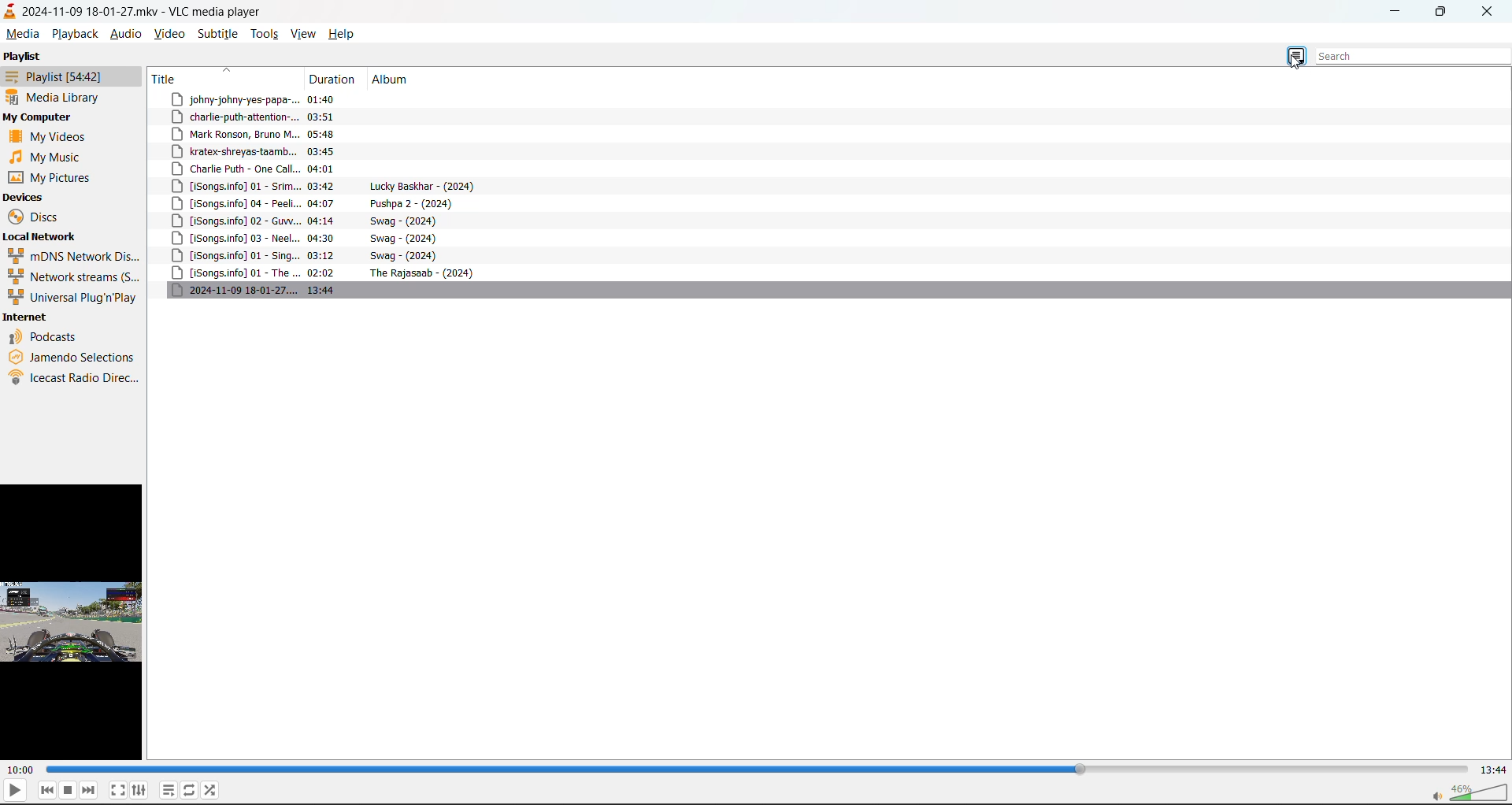 The width and height of the screenshot is (1512, 805). I want to click on search, so click(1402, 54).